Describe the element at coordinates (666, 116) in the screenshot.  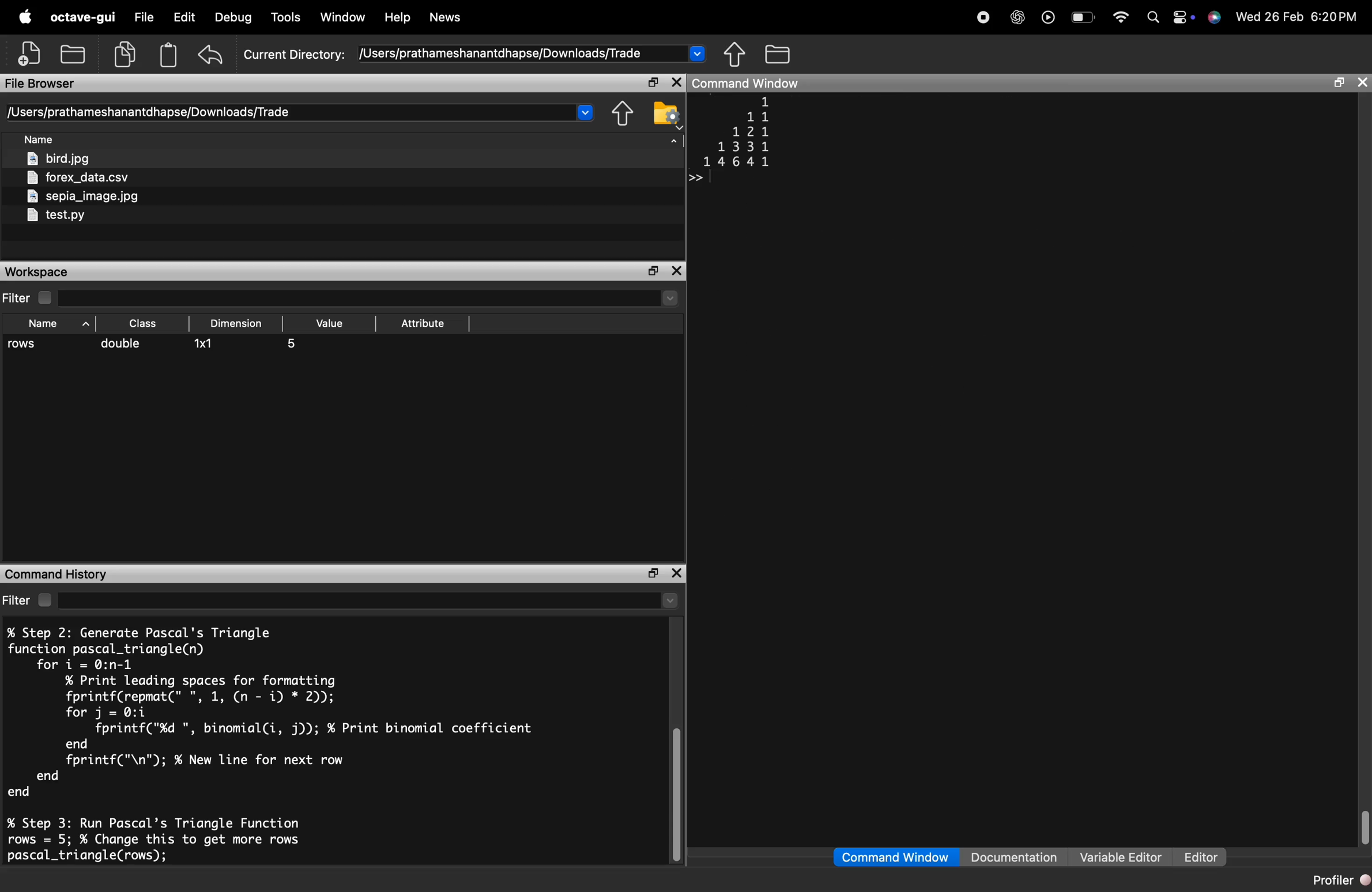
I see `Folder settings` at that location.